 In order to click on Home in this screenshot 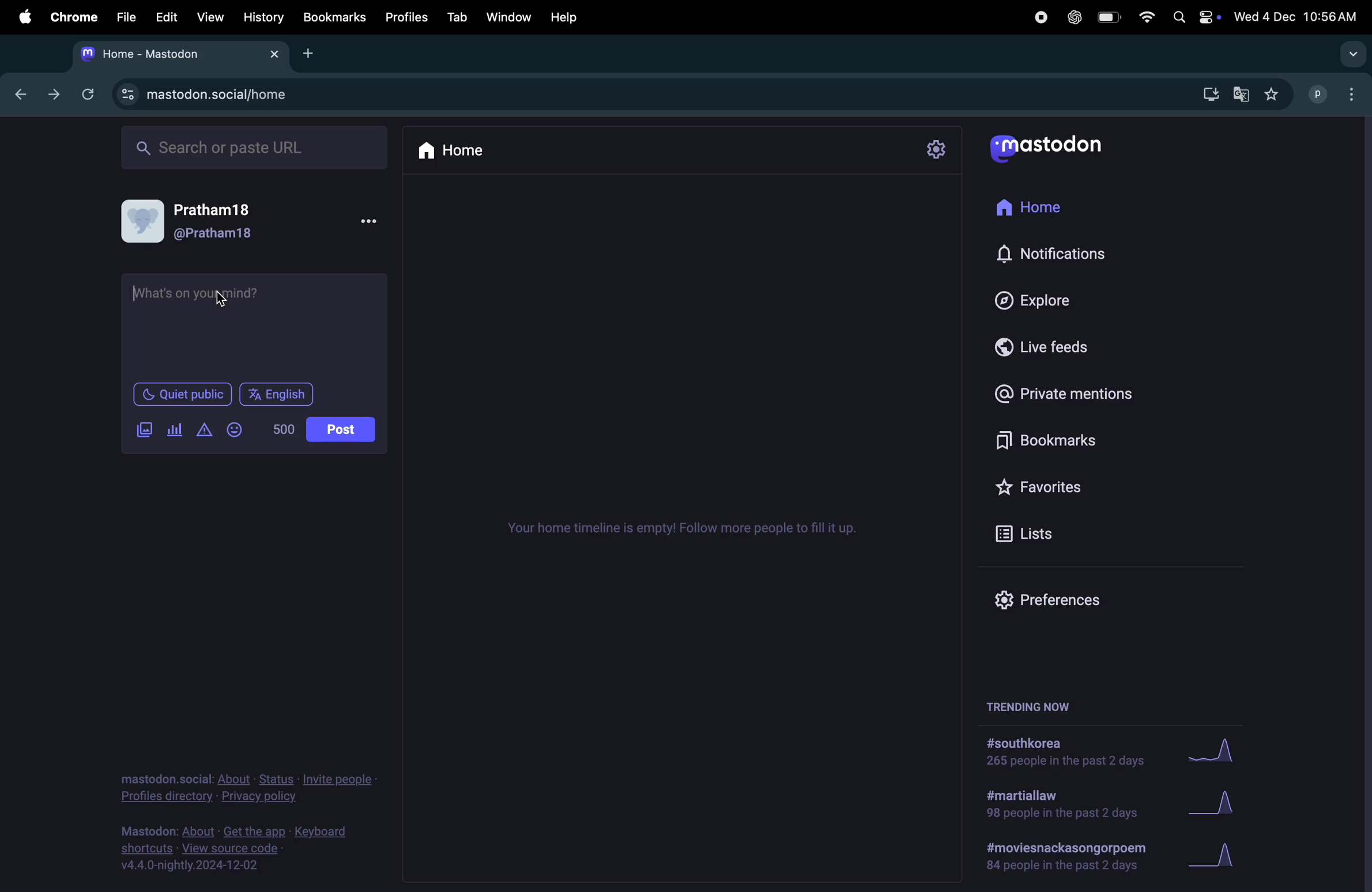, I will do `click(1039, 210)`.